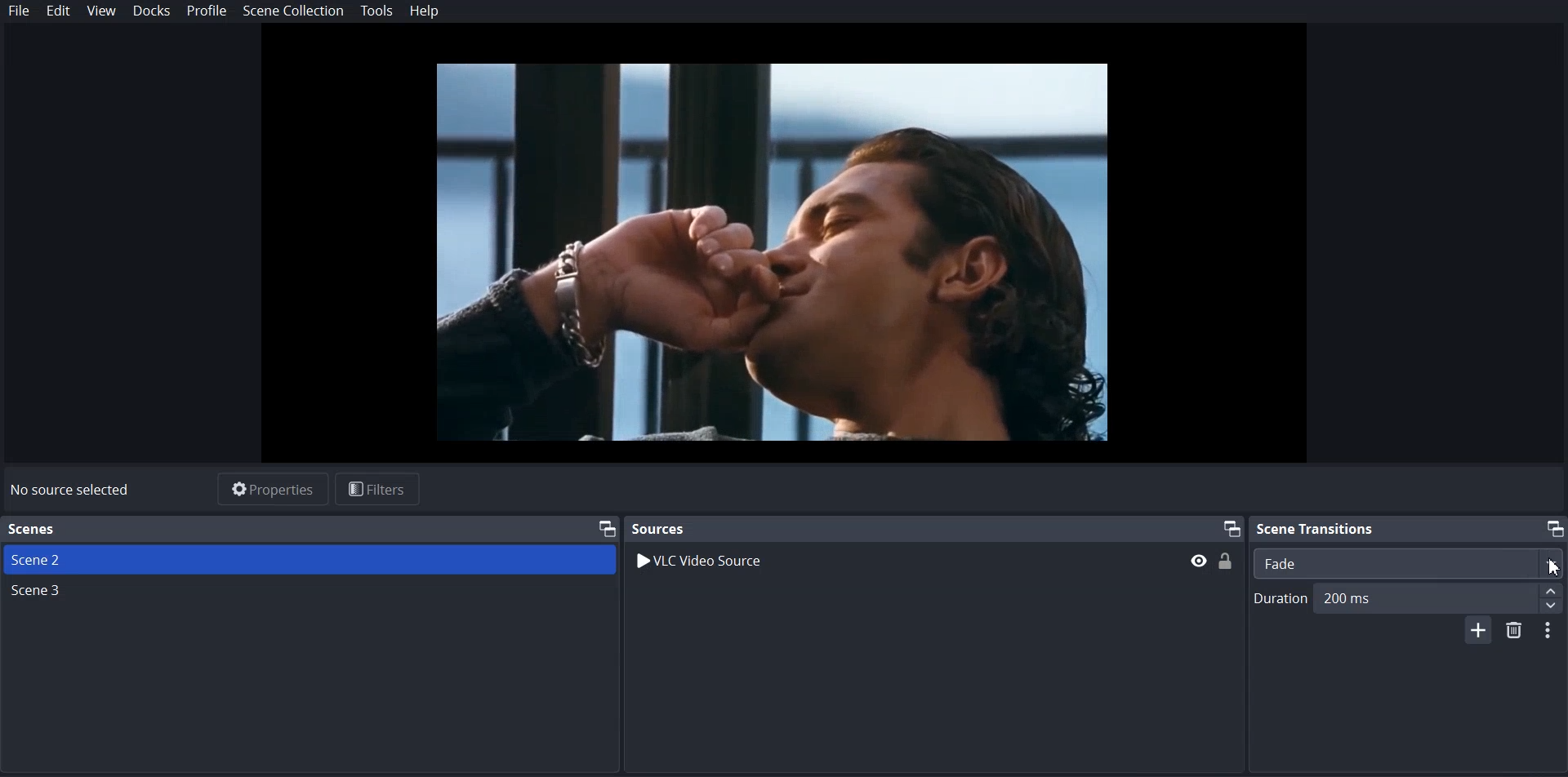 The height and width of the screenshot is (777, 1568). What do you see at coordinates (100, 11) in the screenshot?
I see `View` at bounding box center [100, 11].